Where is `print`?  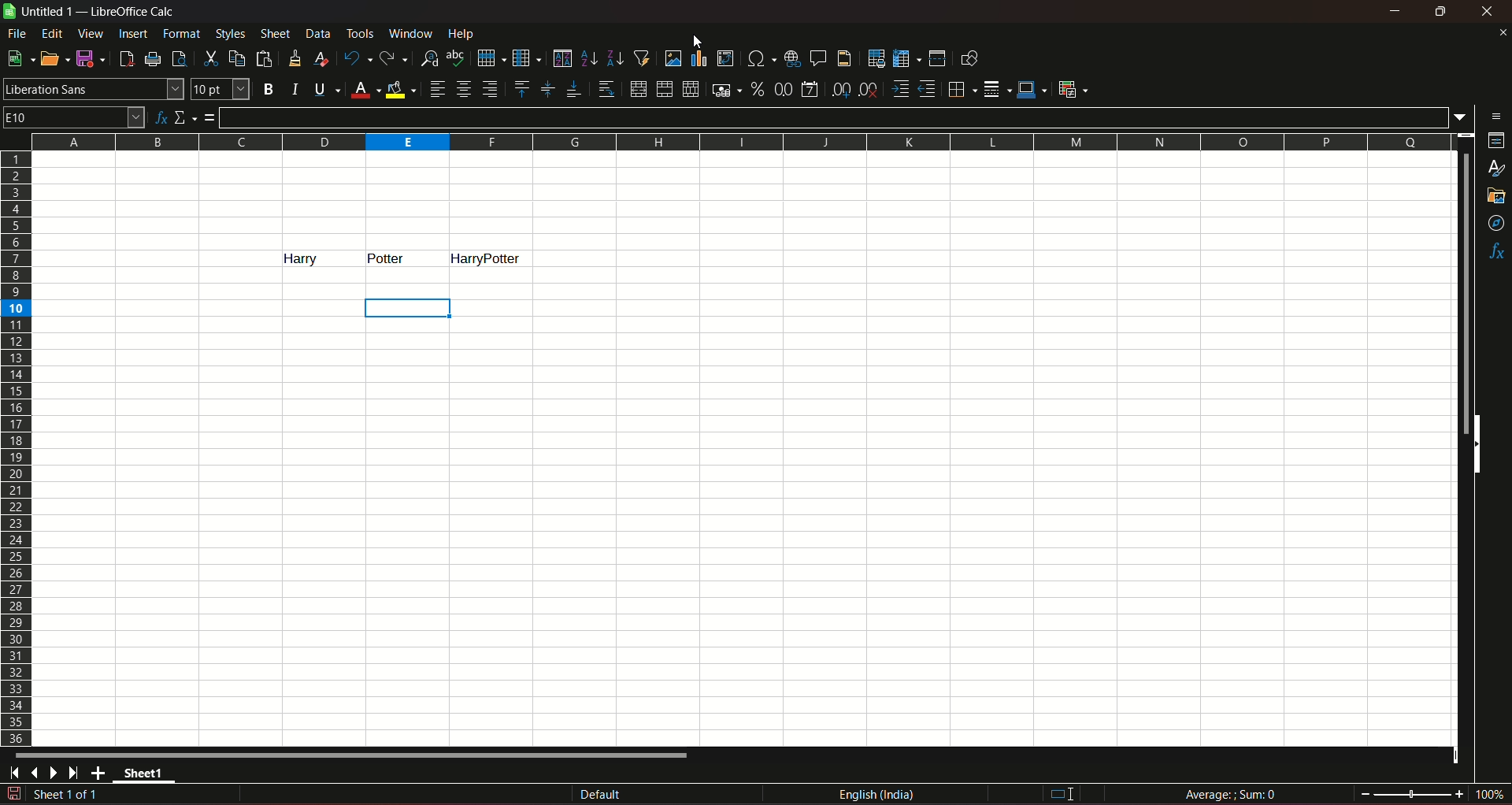
print is located at coordinates (154, 61).